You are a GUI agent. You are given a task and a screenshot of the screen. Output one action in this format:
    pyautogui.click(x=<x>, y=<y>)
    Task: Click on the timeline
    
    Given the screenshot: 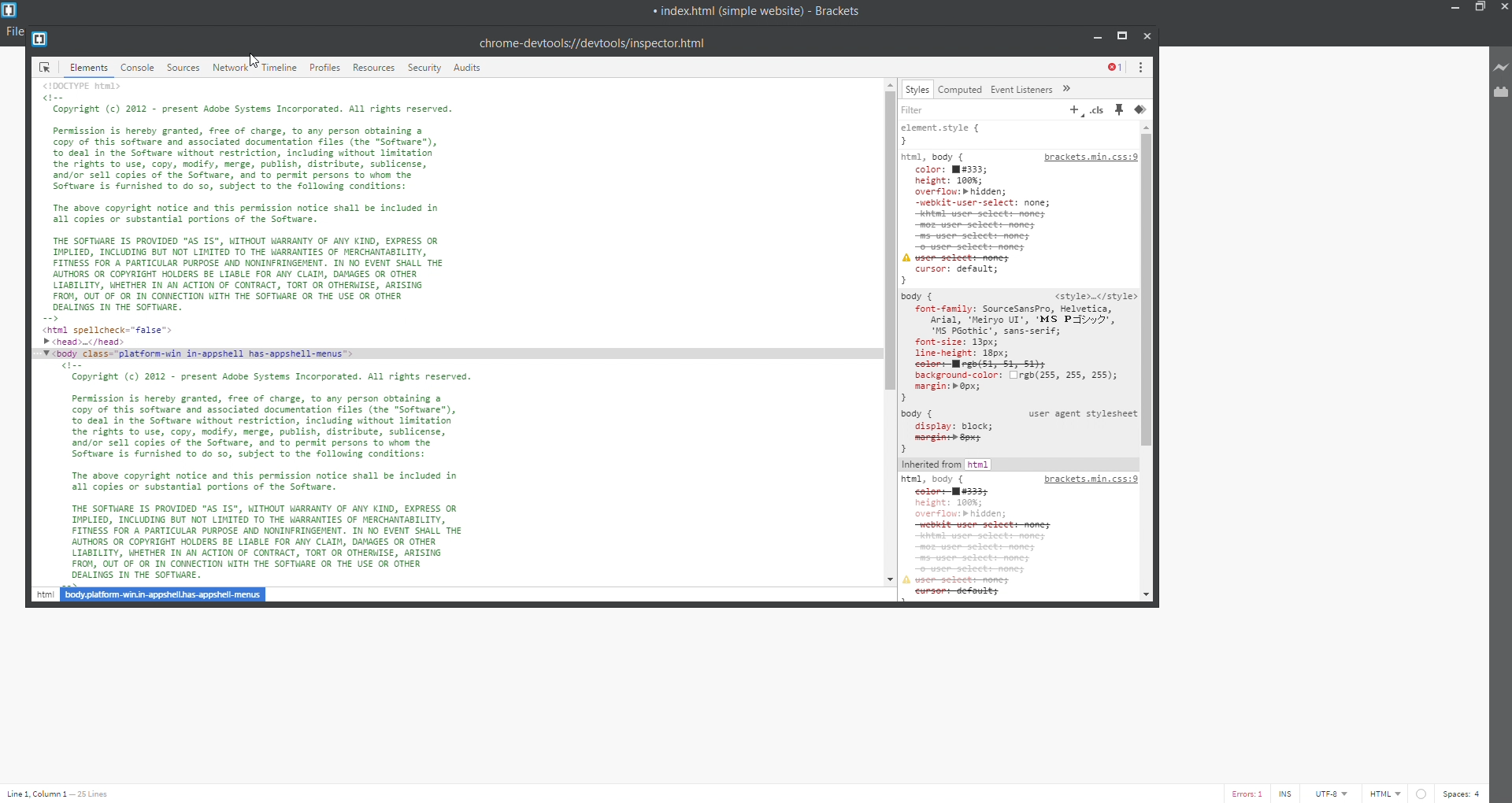 What is the action you would take?
    pyautogui.click(x=281, y=65)
    